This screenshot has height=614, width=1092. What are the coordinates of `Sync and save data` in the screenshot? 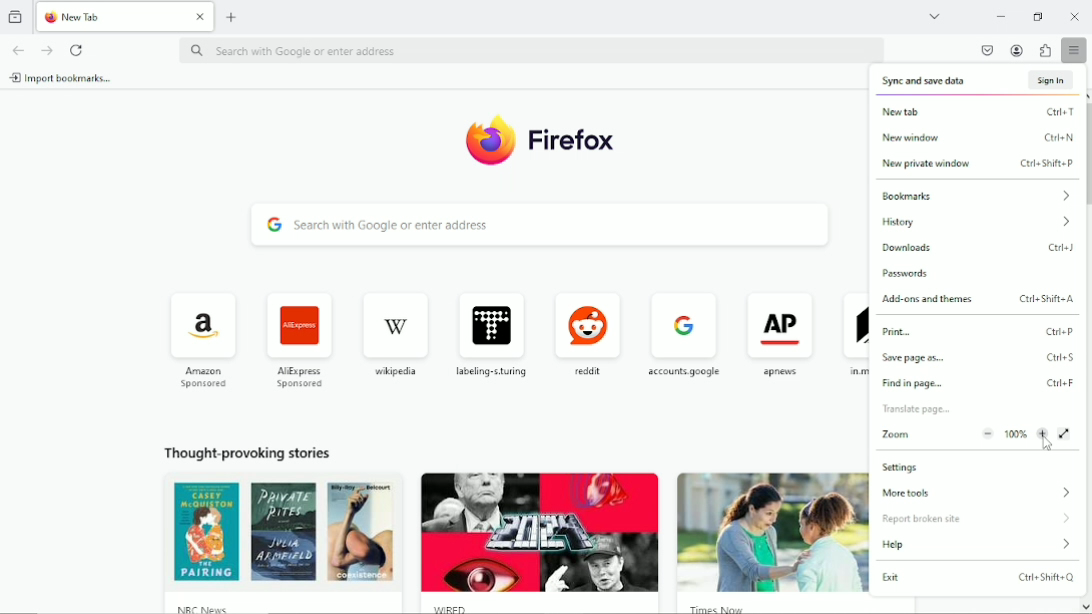 It's located at (978, 82).